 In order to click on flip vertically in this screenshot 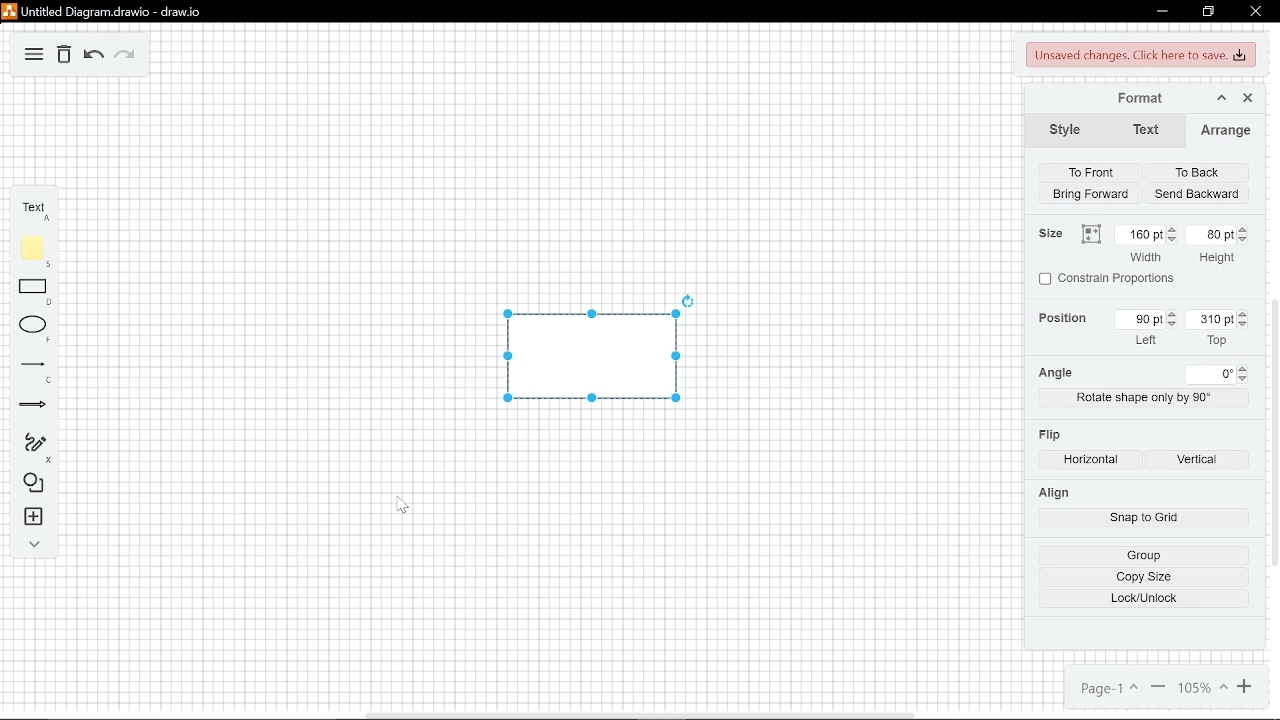, I will do `click(1198, 461)`.